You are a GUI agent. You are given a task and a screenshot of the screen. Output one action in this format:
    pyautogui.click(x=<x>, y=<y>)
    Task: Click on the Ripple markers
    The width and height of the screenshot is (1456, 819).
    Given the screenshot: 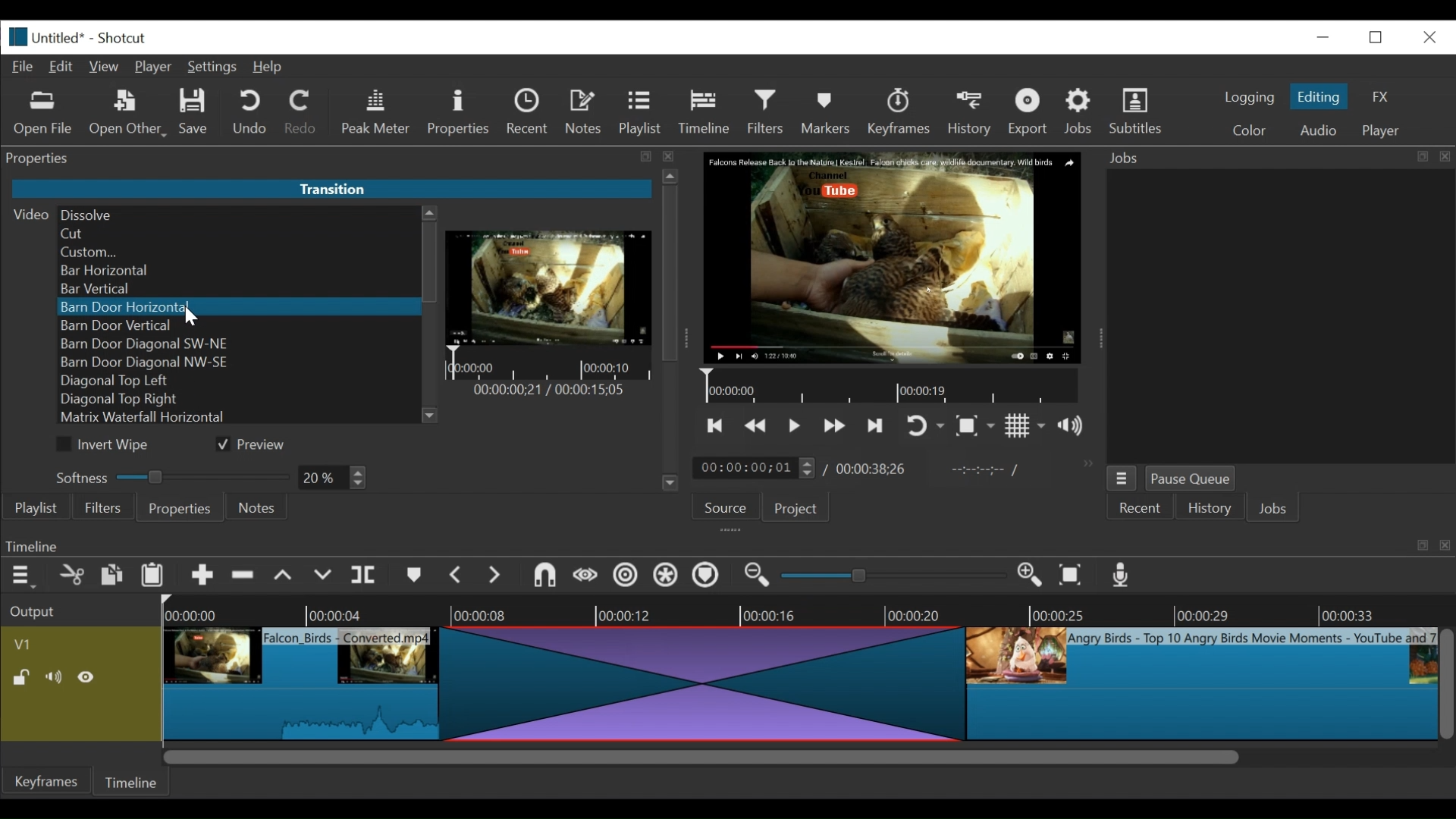 What is the action you would take?
    pyautogui.click(x=709, y=577)
    